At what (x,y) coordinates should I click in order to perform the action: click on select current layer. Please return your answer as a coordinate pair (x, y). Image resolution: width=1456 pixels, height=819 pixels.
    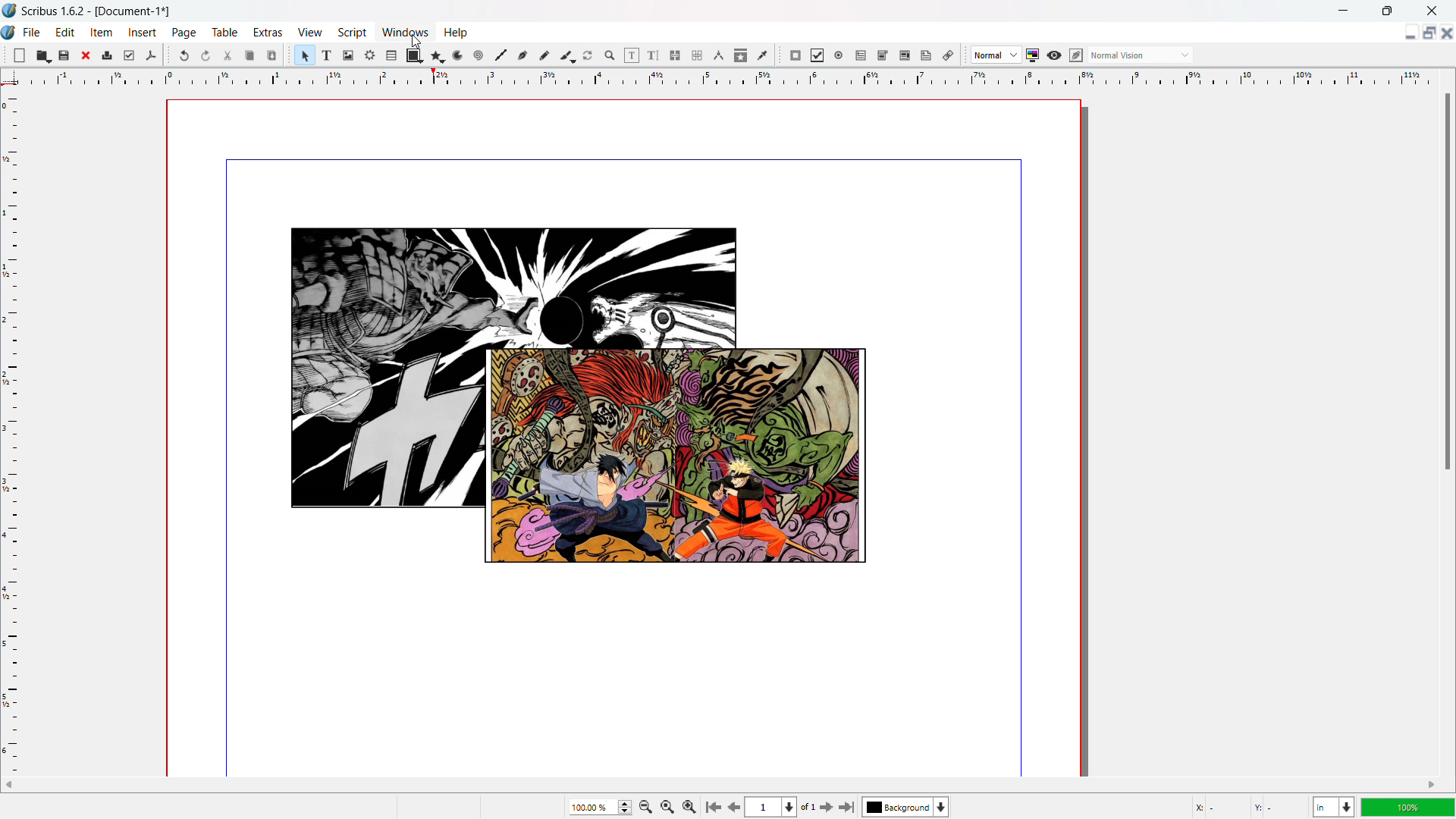
    Looking at the image, I should click on (905, 807).